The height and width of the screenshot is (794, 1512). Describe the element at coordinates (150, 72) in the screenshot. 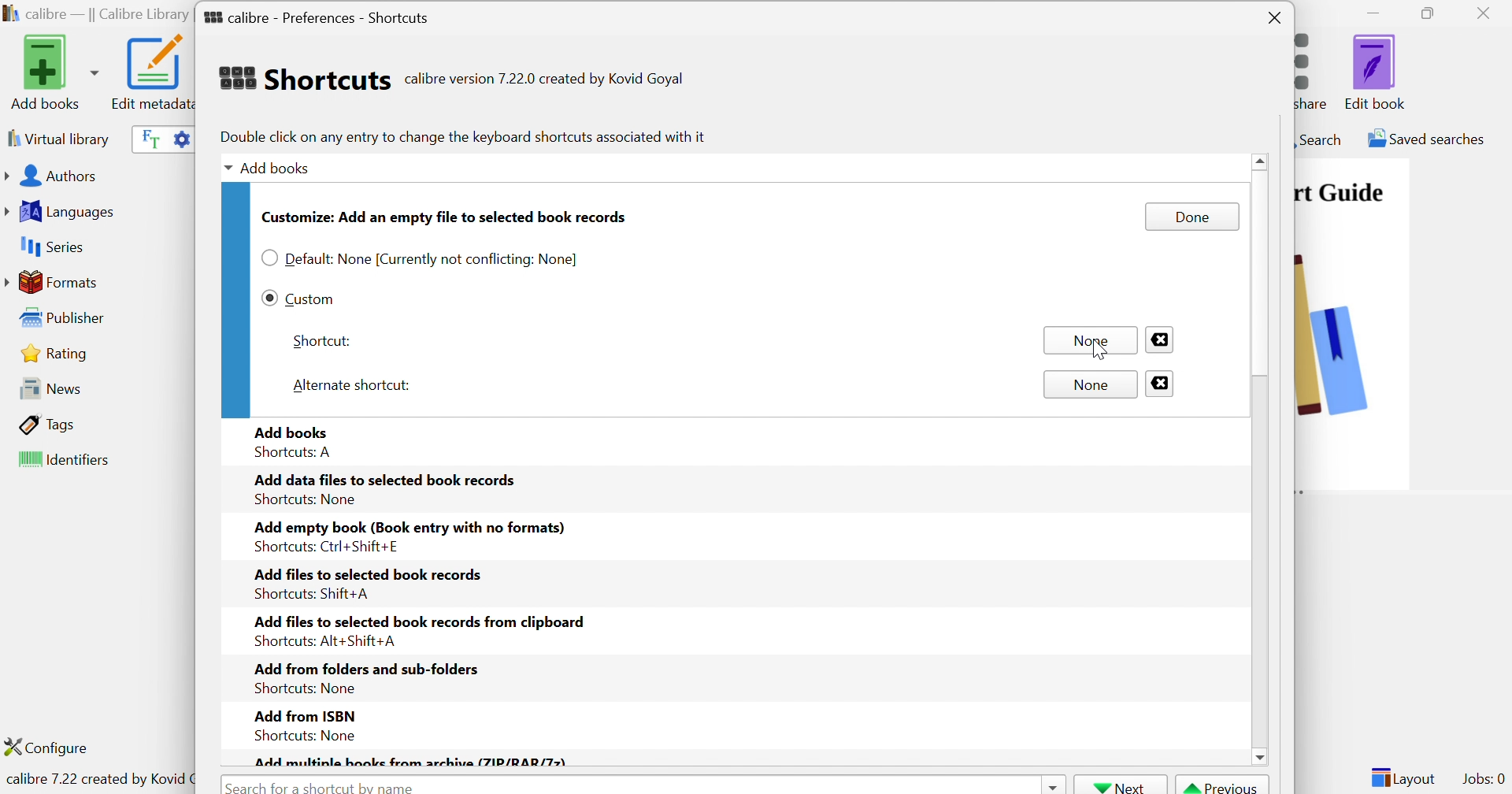

I see `Edit metadata` at that location.